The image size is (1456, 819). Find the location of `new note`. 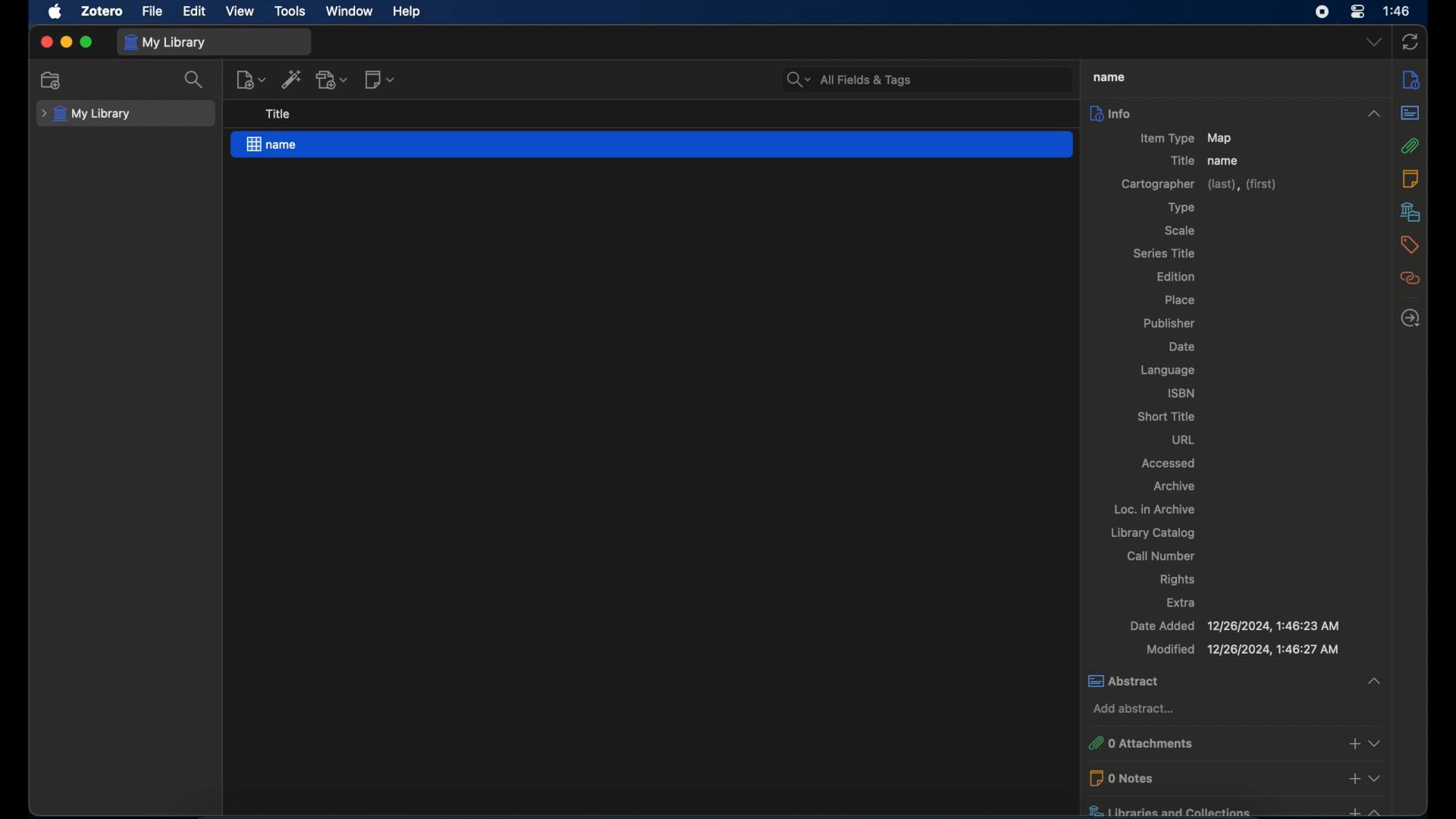

new note is located at coordinates (379, 79).